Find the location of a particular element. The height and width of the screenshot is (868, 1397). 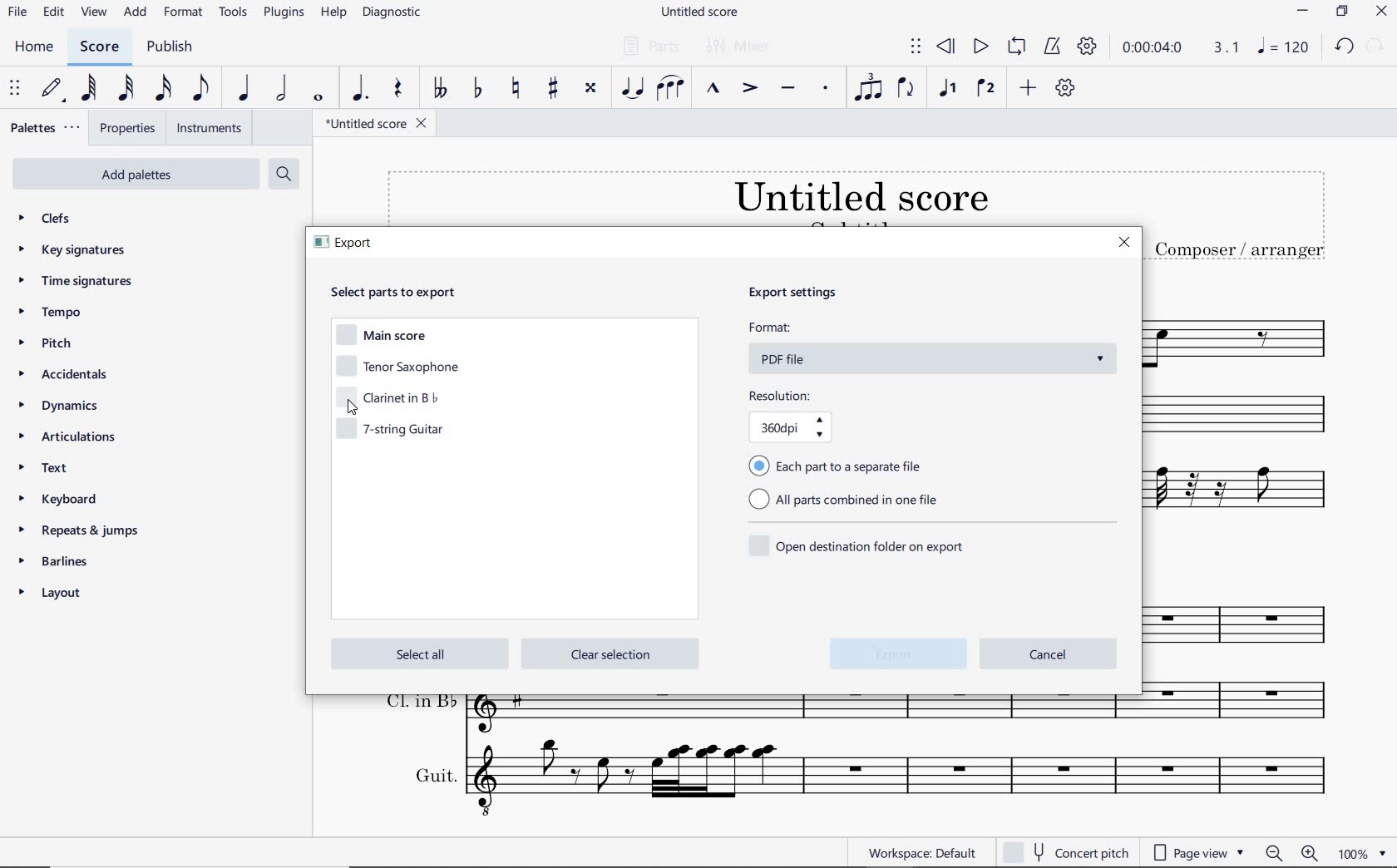

16TH NOTE is located at coordinates (165, 89).